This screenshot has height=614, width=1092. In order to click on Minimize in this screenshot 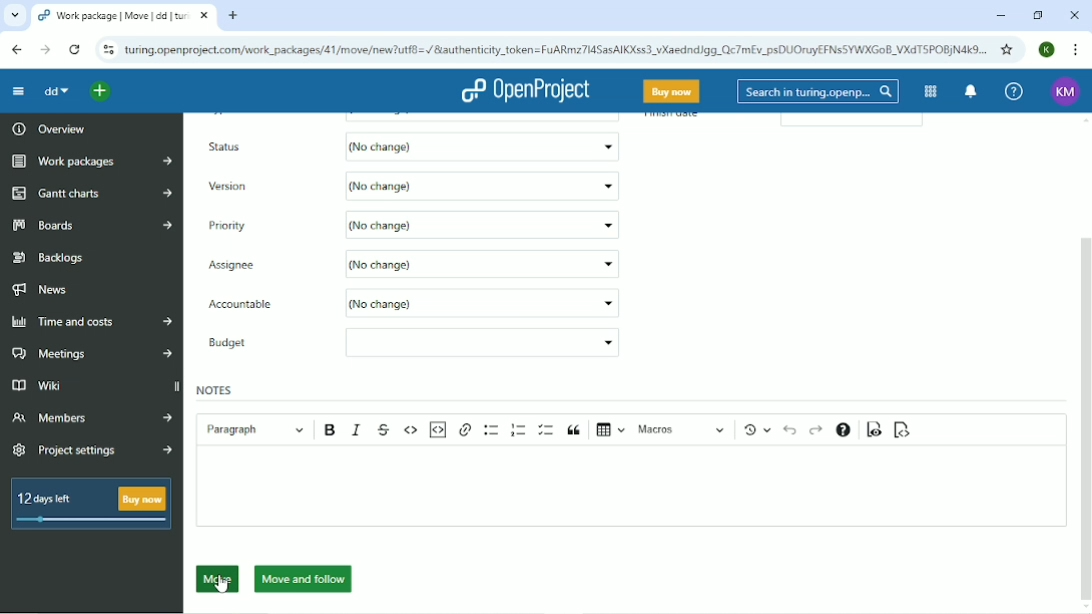, I will do `click(999, 16)`.